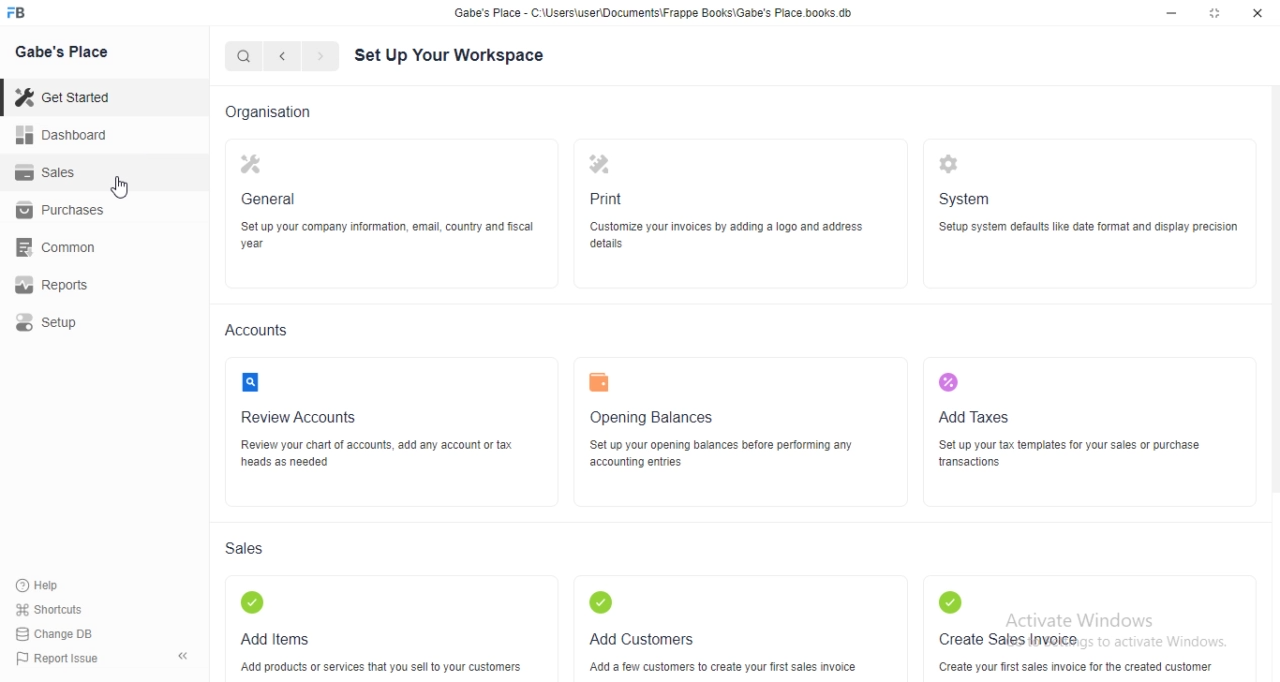 This screenshot has width=1280, height=682. What do you see at coordinates (1013, 616) in the screenshot?
I see `Create Sales invoice` at bounding box center [1013, 616].